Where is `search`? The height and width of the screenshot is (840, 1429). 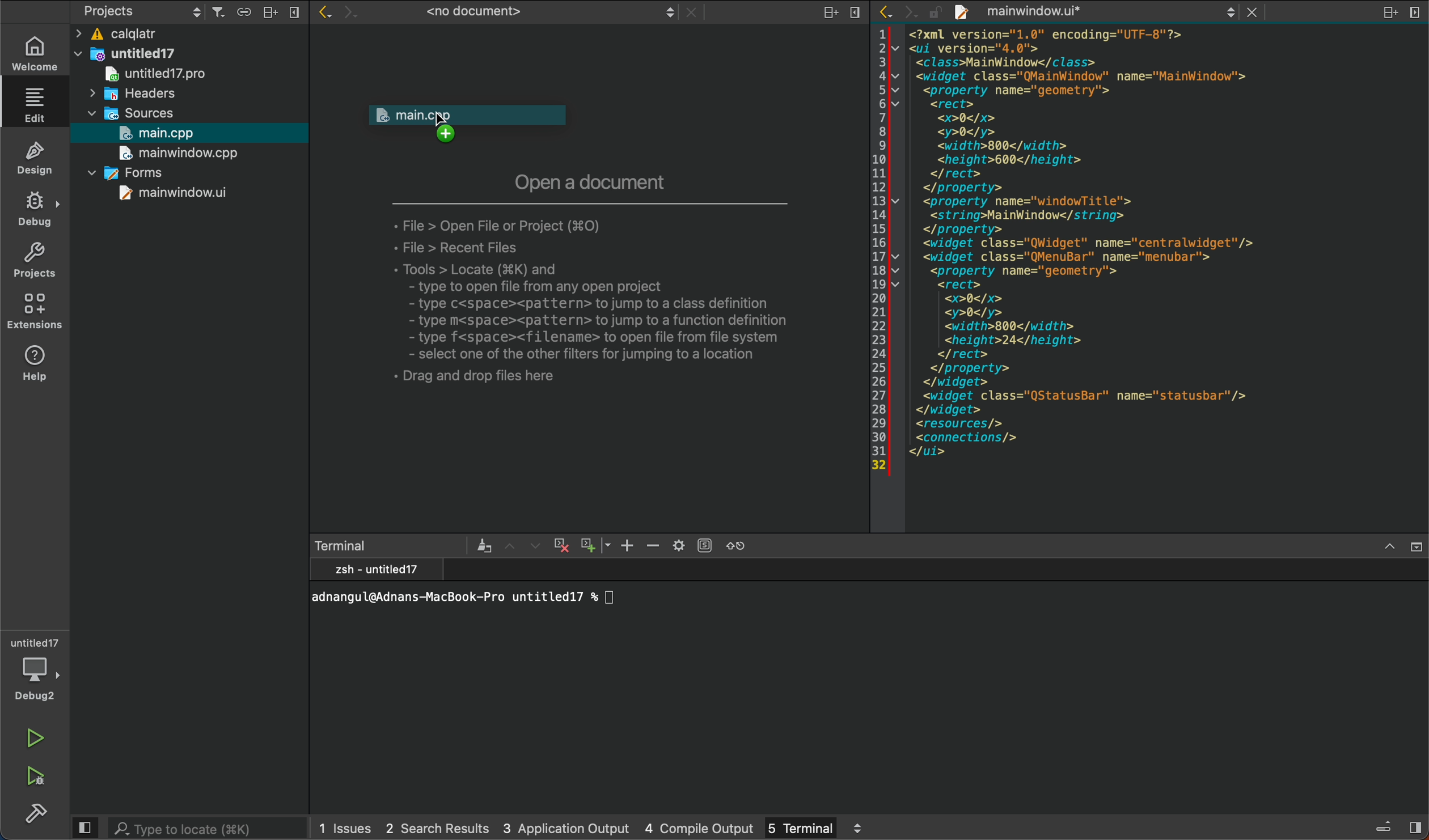 search is located at coordinates (210, 828).